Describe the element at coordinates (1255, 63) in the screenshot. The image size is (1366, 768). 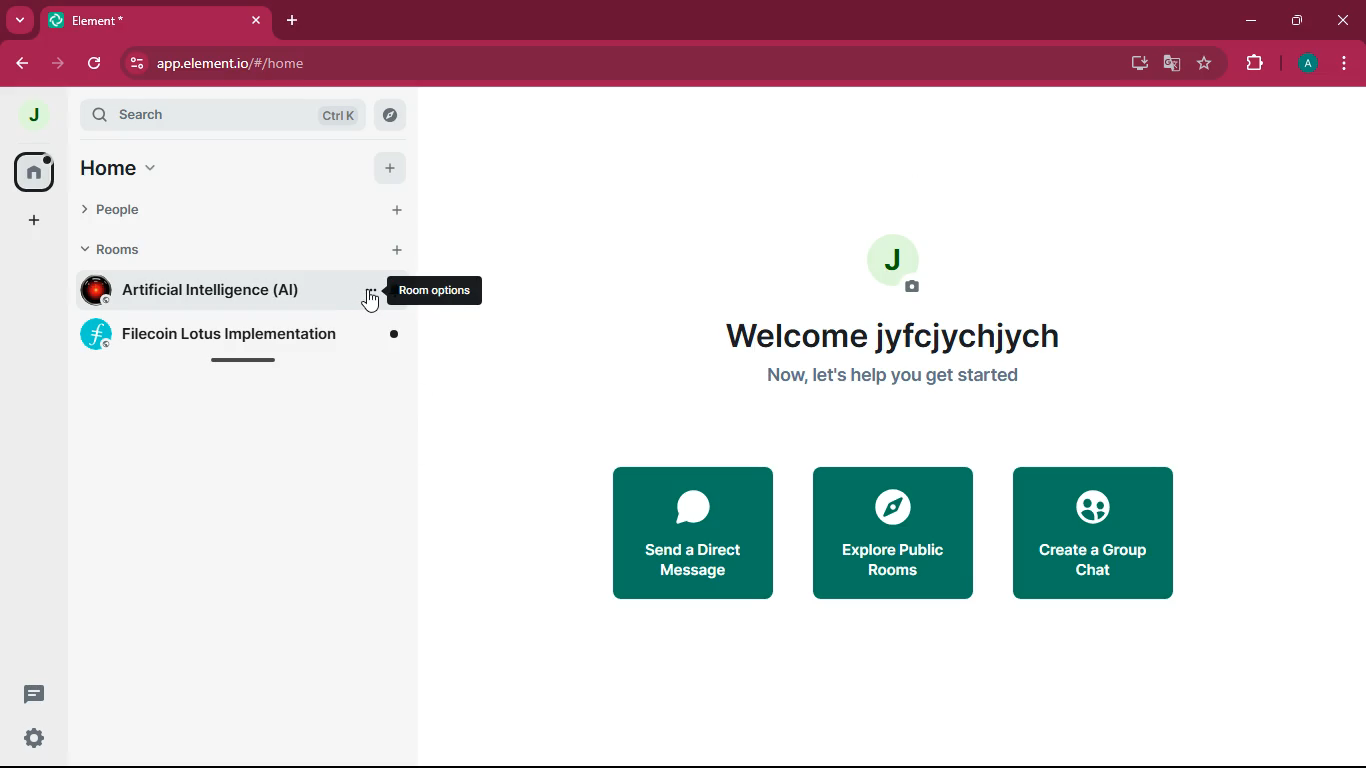
I see `extensions` at that location.